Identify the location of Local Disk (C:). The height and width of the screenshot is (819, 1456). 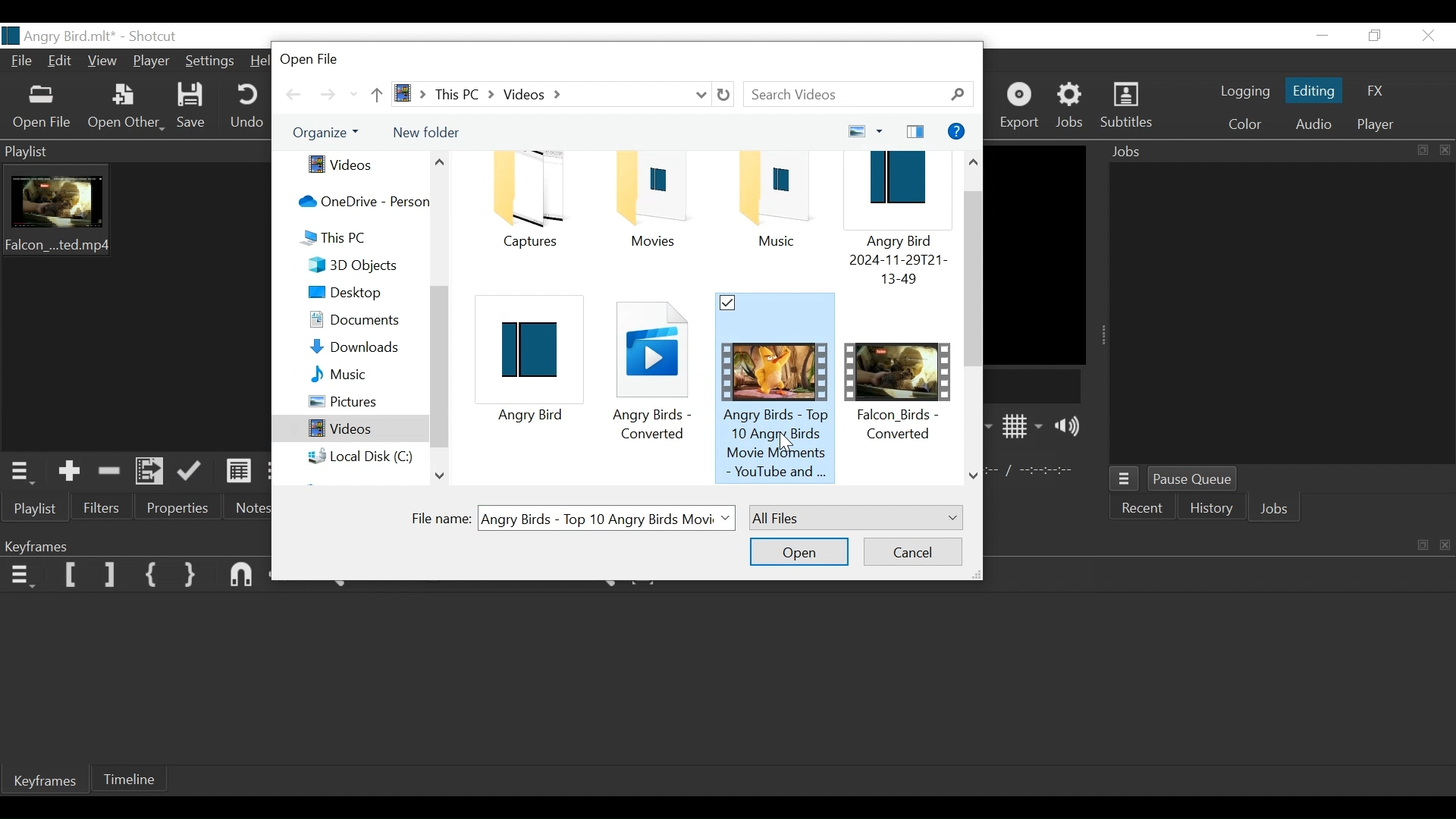
(363, 456).